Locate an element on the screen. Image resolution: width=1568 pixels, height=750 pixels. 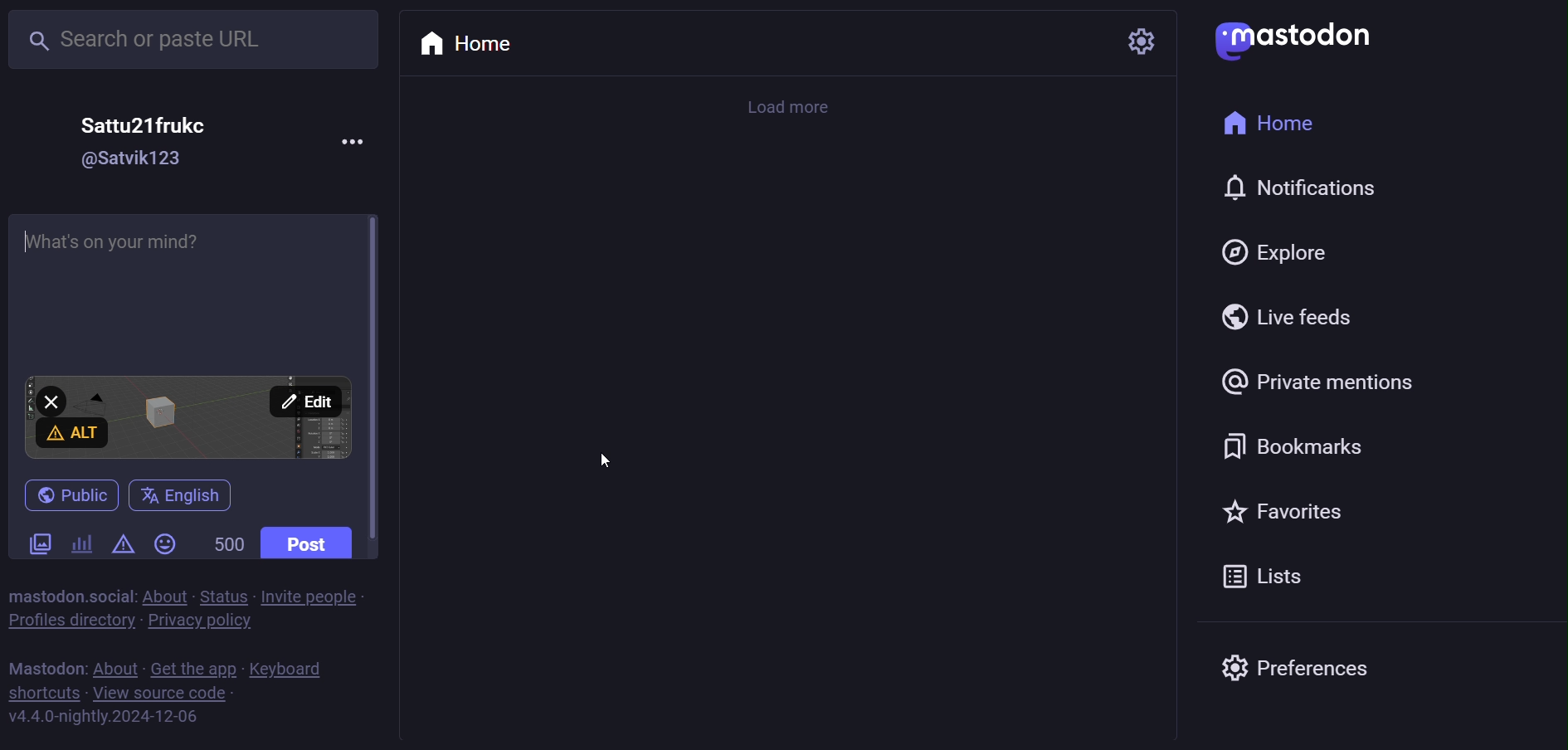
search is located at coordinates (196, 41).